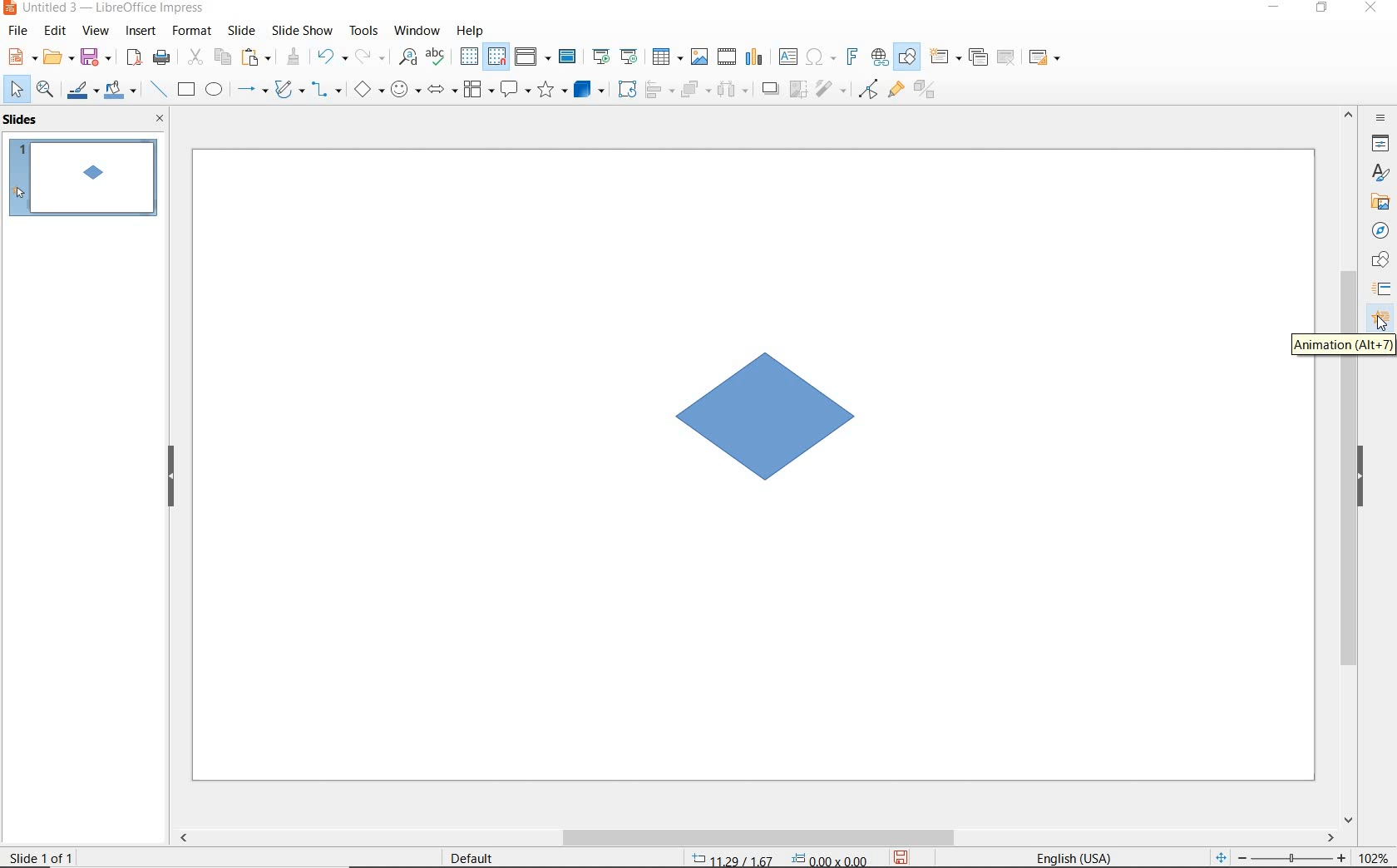 The width and height of the screenshot is (1397, 868). What do you see at coordinates (659, 91) in the screenshot?
I see `align objects` at bounding box center [659, 91].